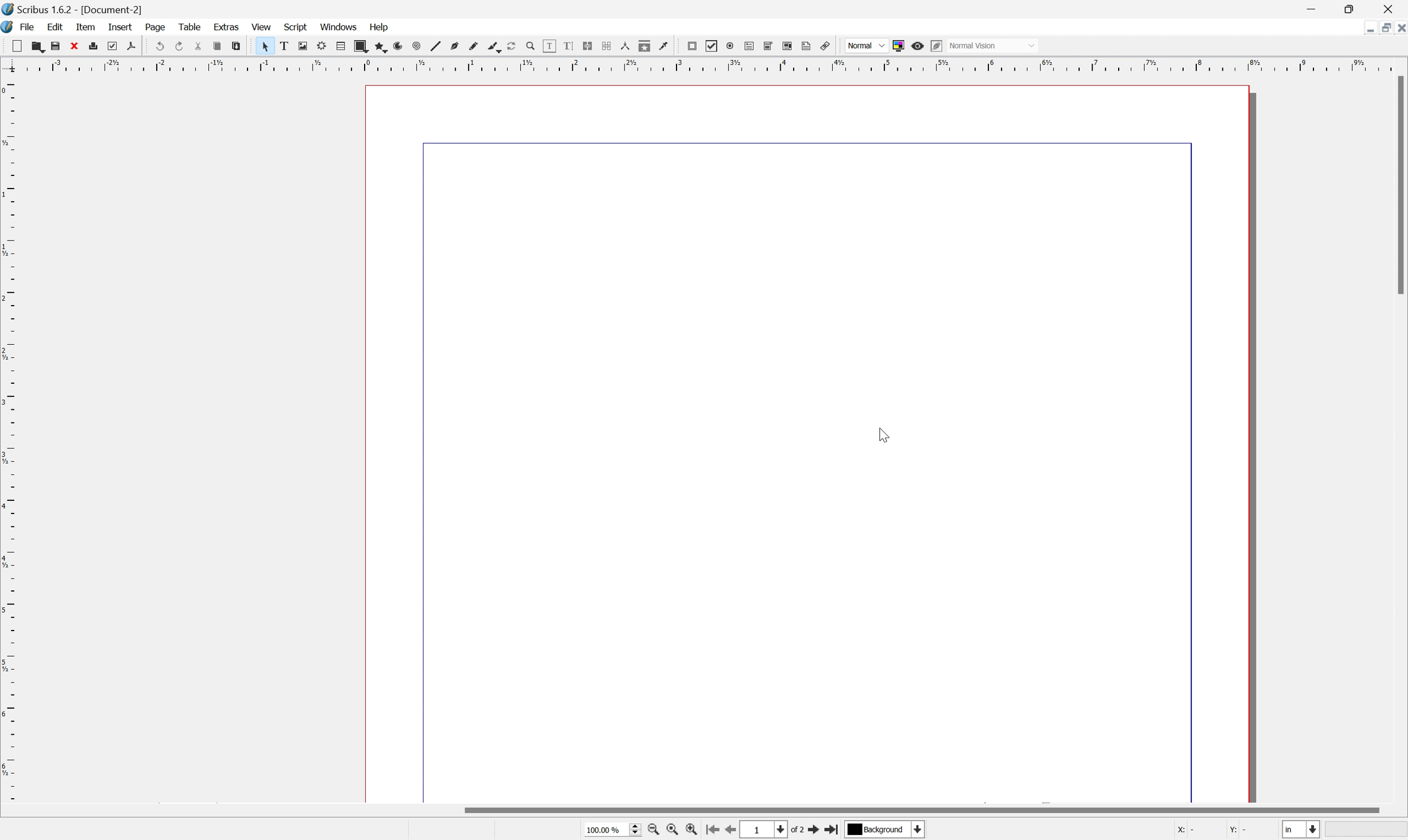  I want to click on Shape, so click(357, 45).